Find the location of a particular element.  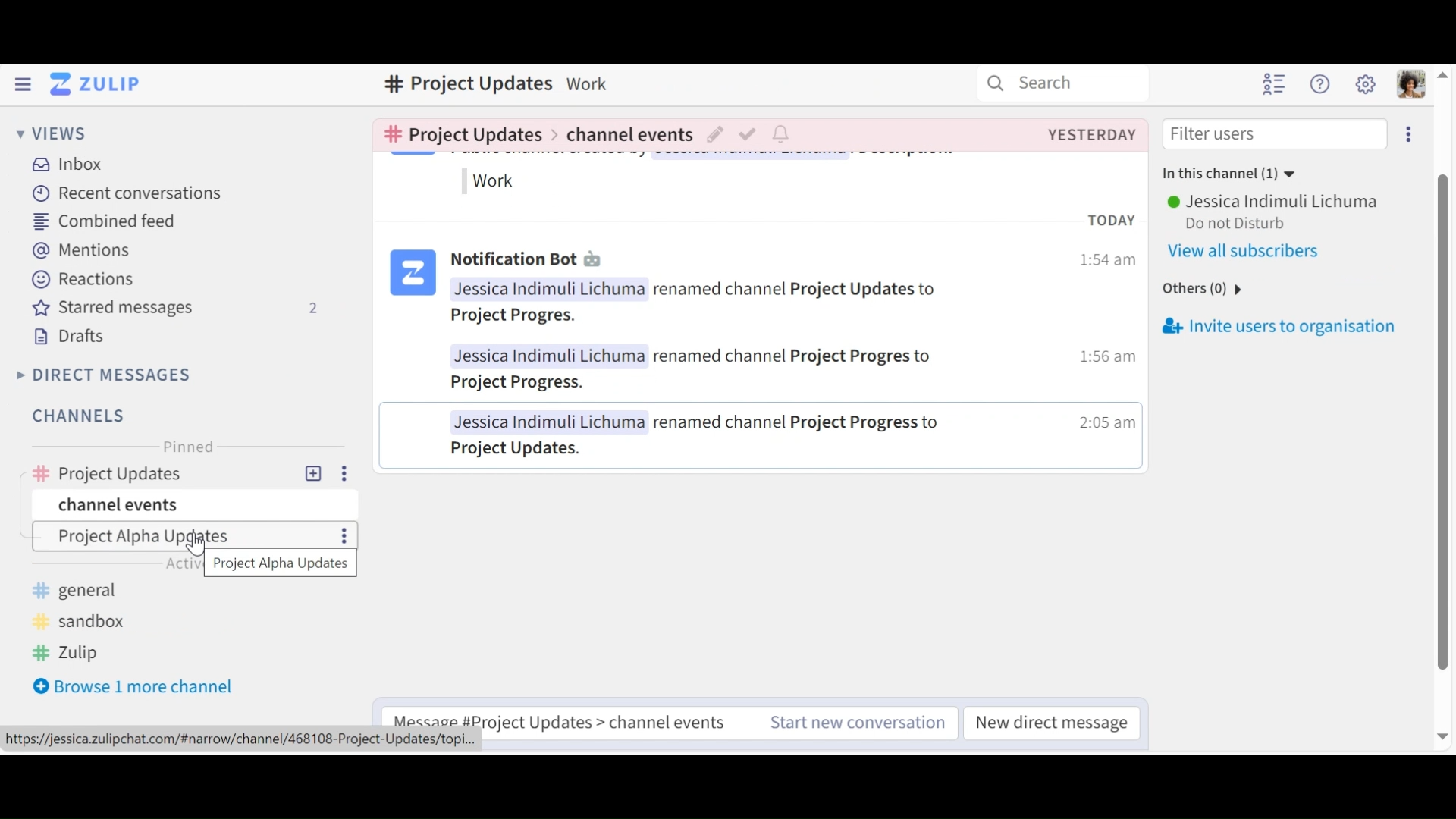

Inbox is located at coordinates (65, 166).